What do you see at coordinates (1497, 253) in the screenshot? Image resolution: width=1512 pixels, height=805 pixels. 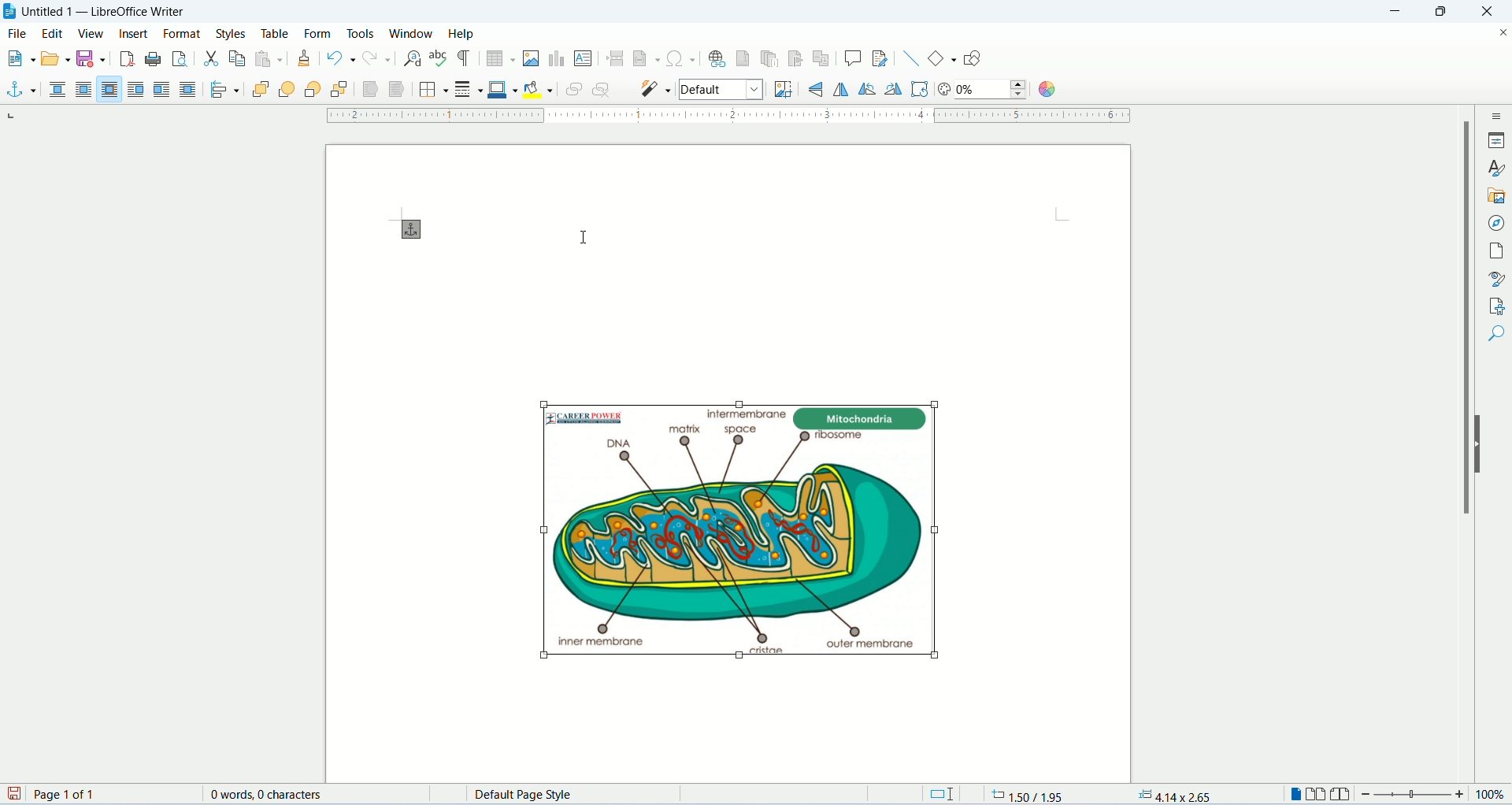 I see `pages` at bounding box center [1497, 253].